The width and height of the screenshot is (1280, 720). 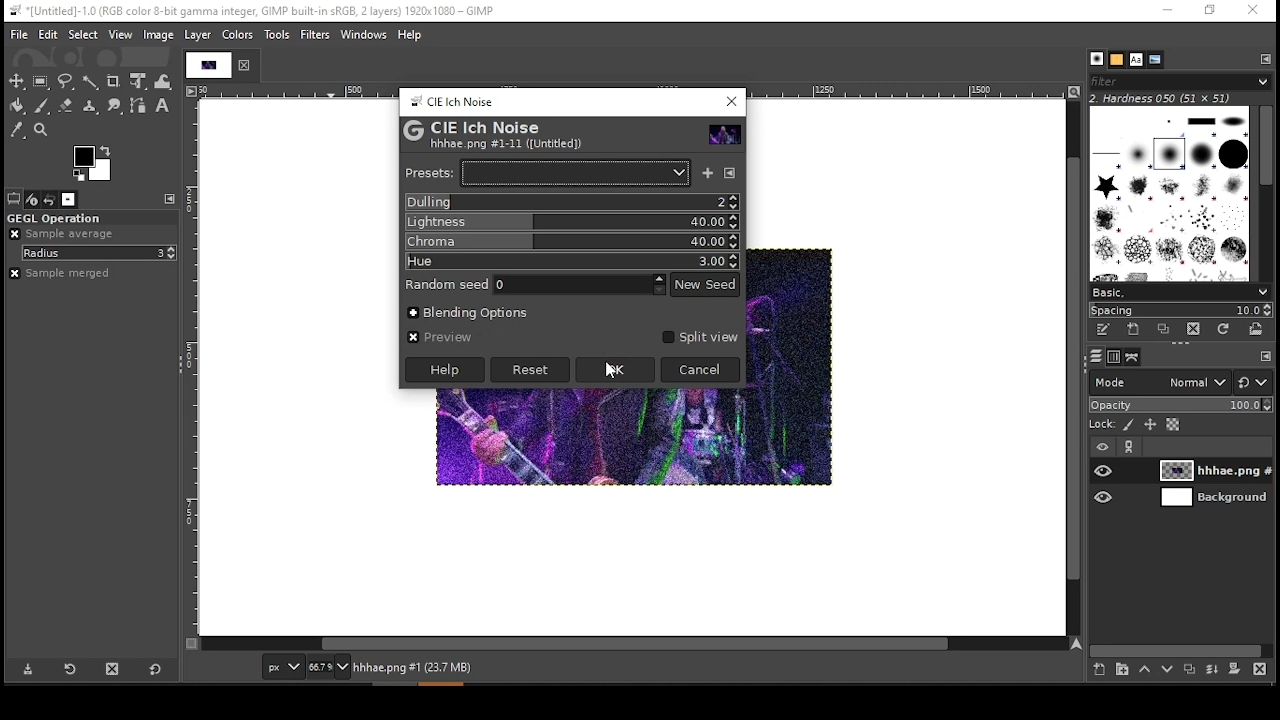 I want to click on duplicate layer, so click(x=1192, y=670).